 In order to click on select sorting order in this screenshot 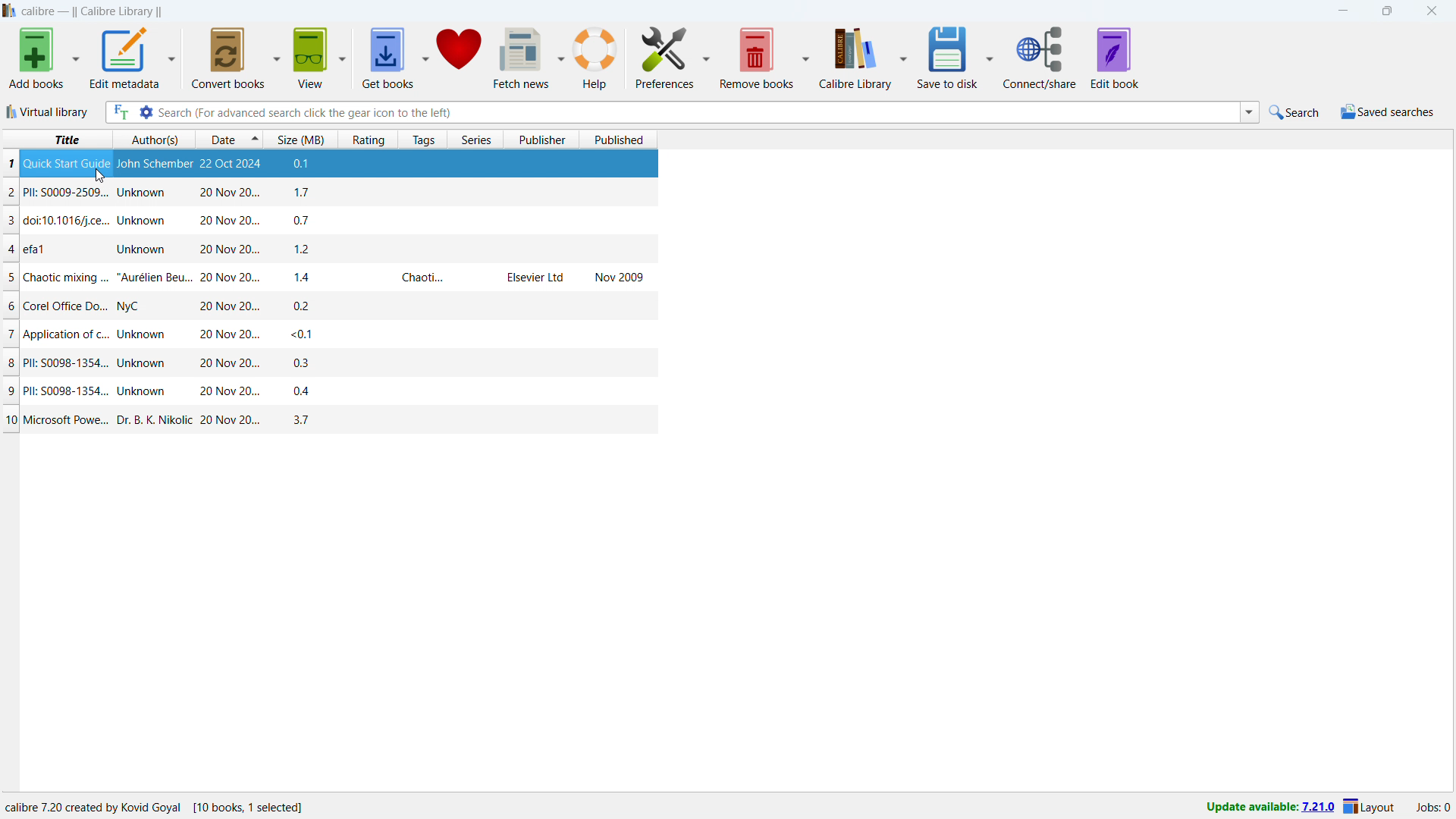, I will do `click(254, 139)`.